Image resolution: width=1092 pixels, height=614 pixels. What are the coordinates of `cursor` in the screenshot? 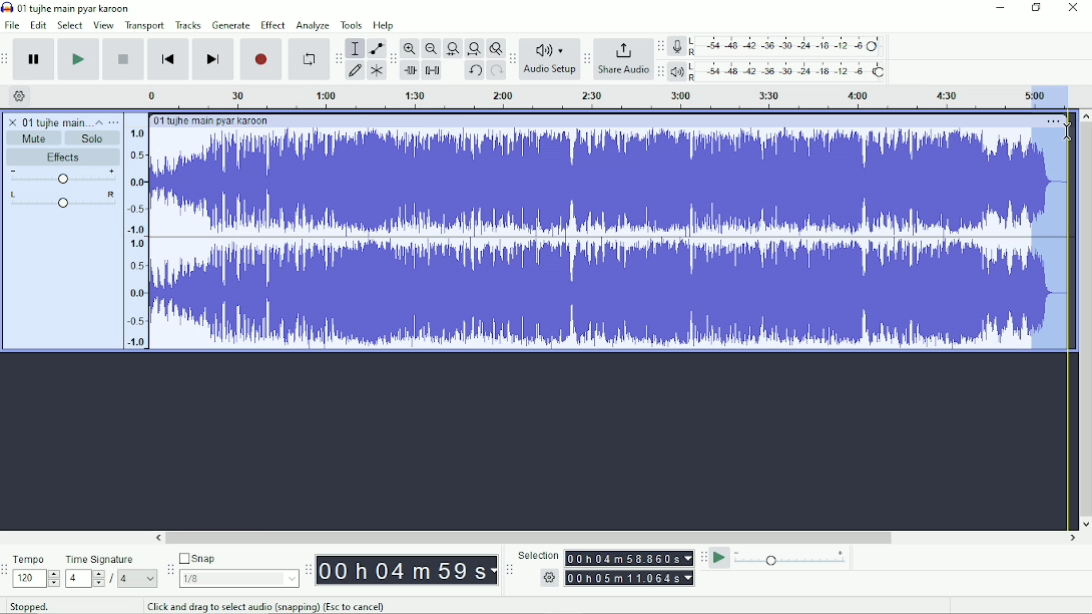 It's located at (1064, 128).